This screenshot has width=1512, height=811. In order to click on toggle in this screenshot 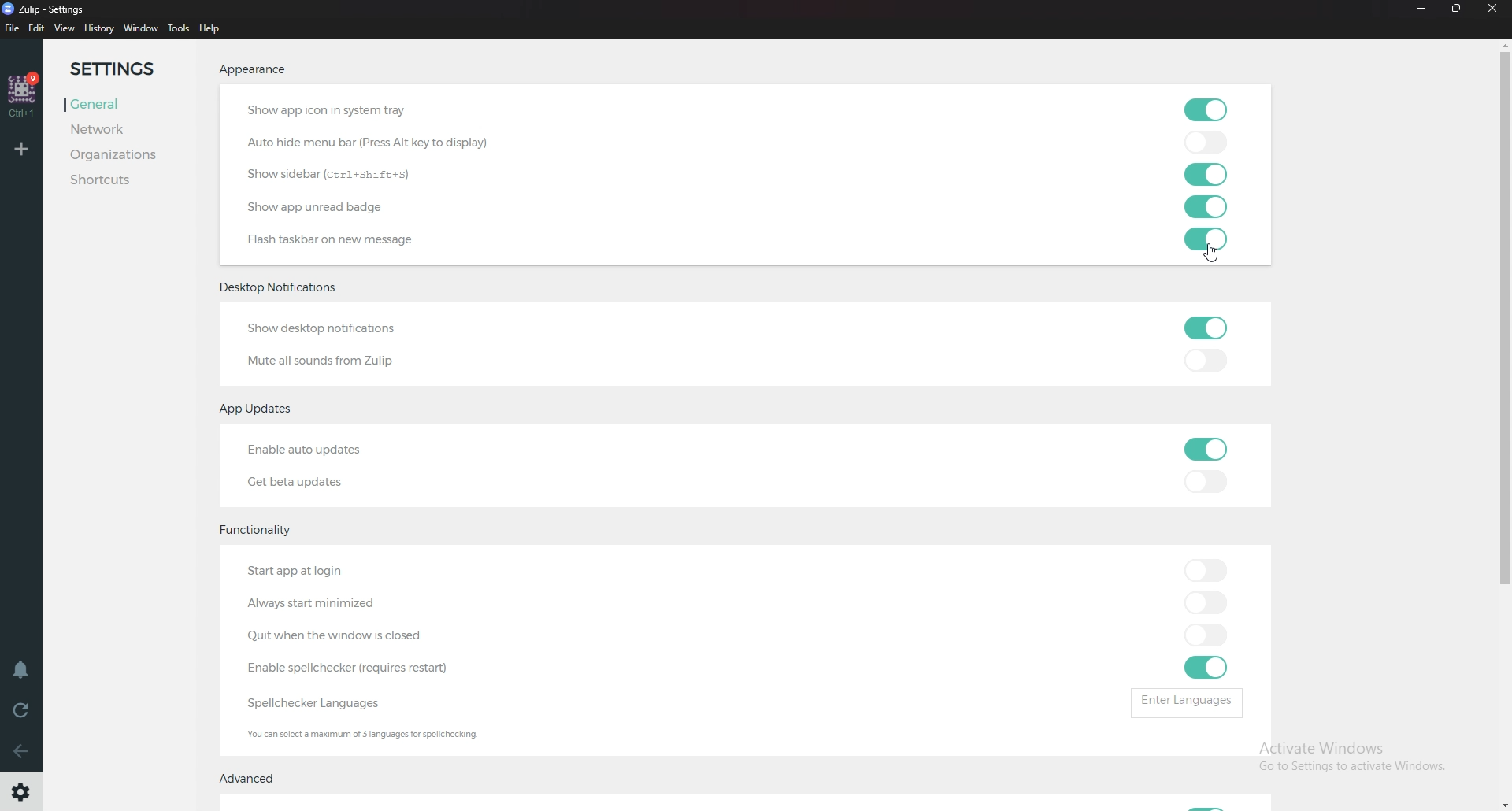, I will do `click(1203, 602)`.